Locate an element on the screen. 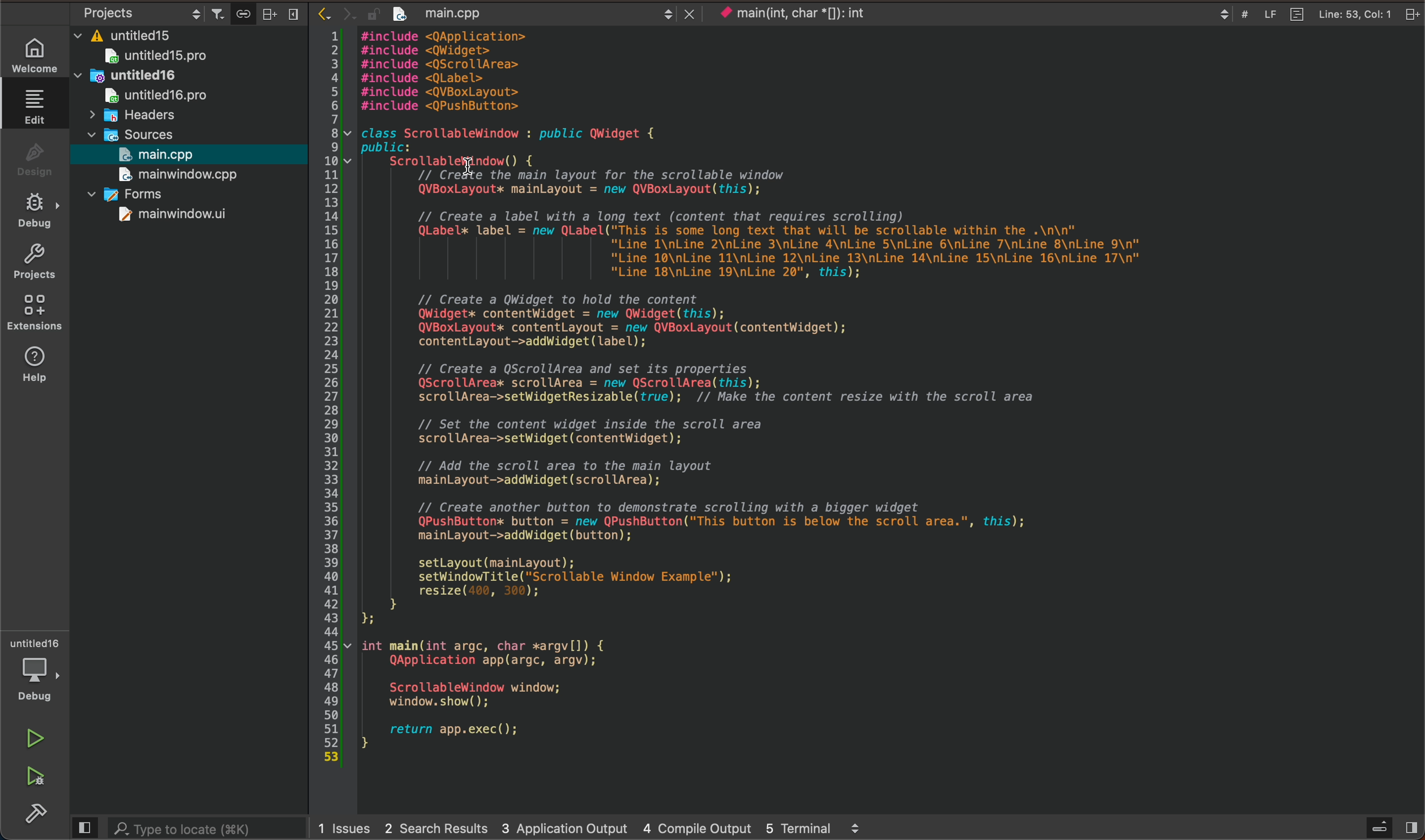 Image resolution: width=1425 pixels, height=840 pixels. build is located at coordinates (29, 813).